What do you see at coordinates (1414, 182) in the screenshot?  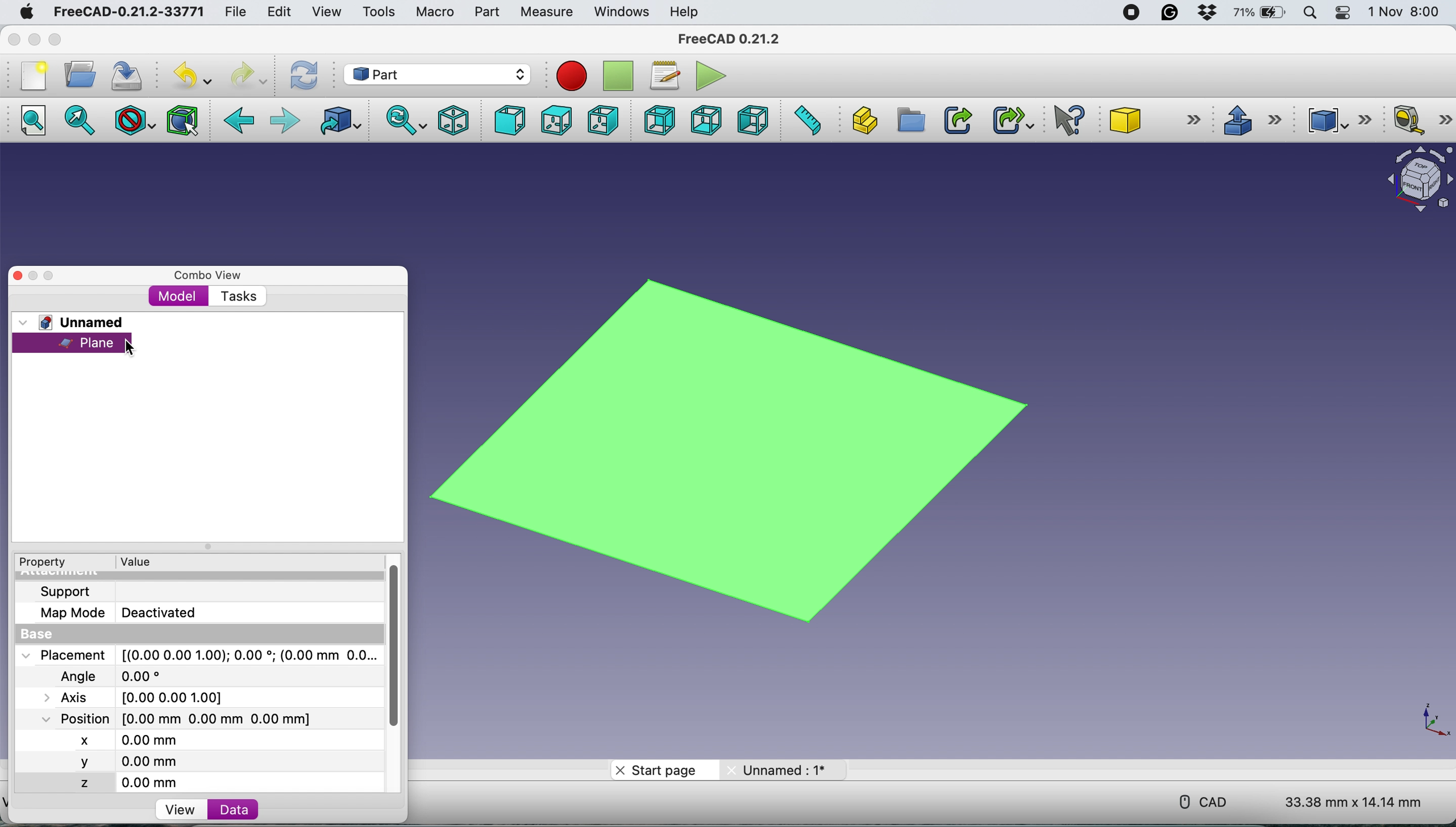 I see `object interface` at bounding box center [1414, 182].